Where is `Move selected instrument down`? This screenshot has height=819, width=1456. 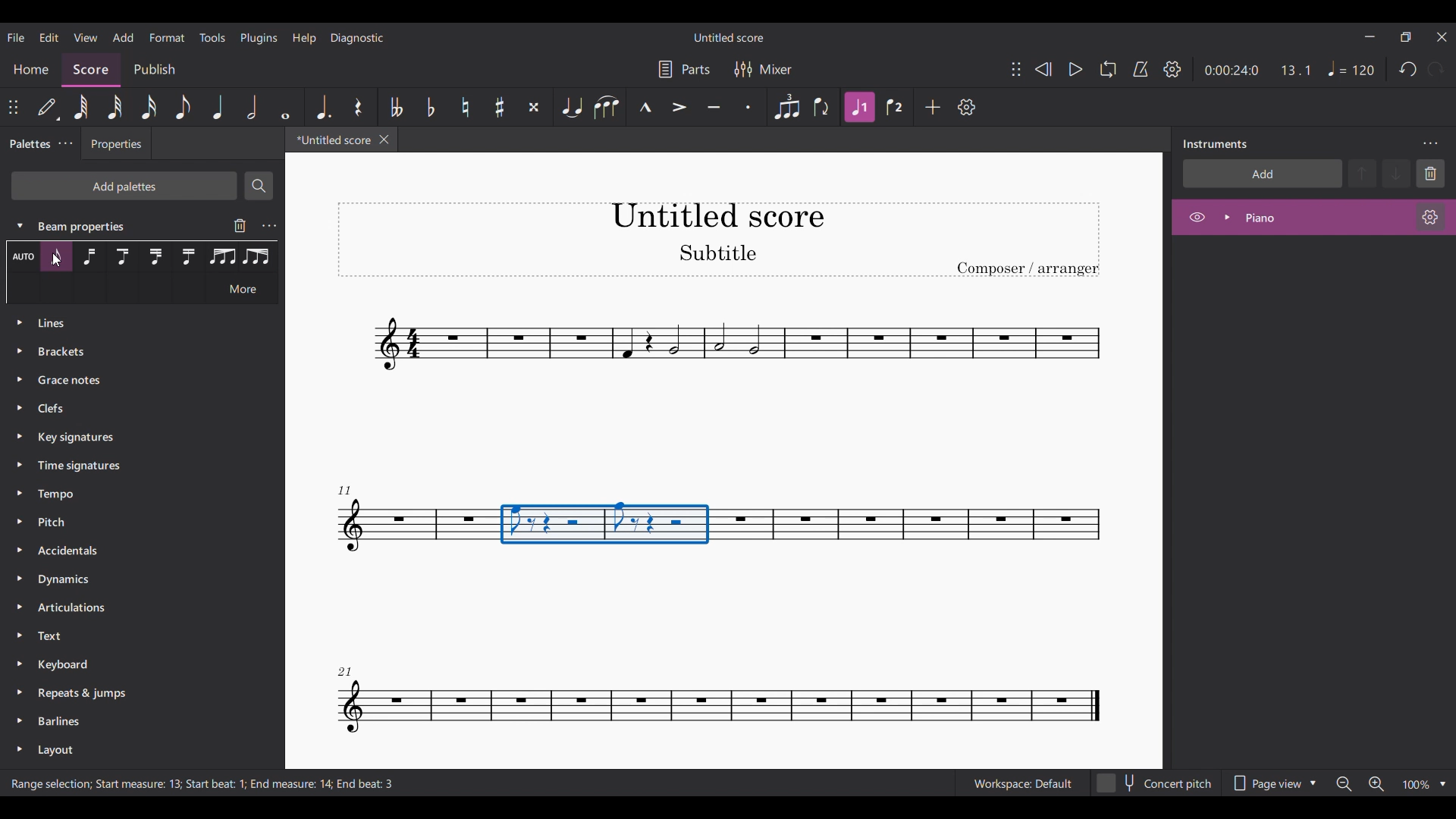 Move selected instrument down is located at coordinates (1396, 173).